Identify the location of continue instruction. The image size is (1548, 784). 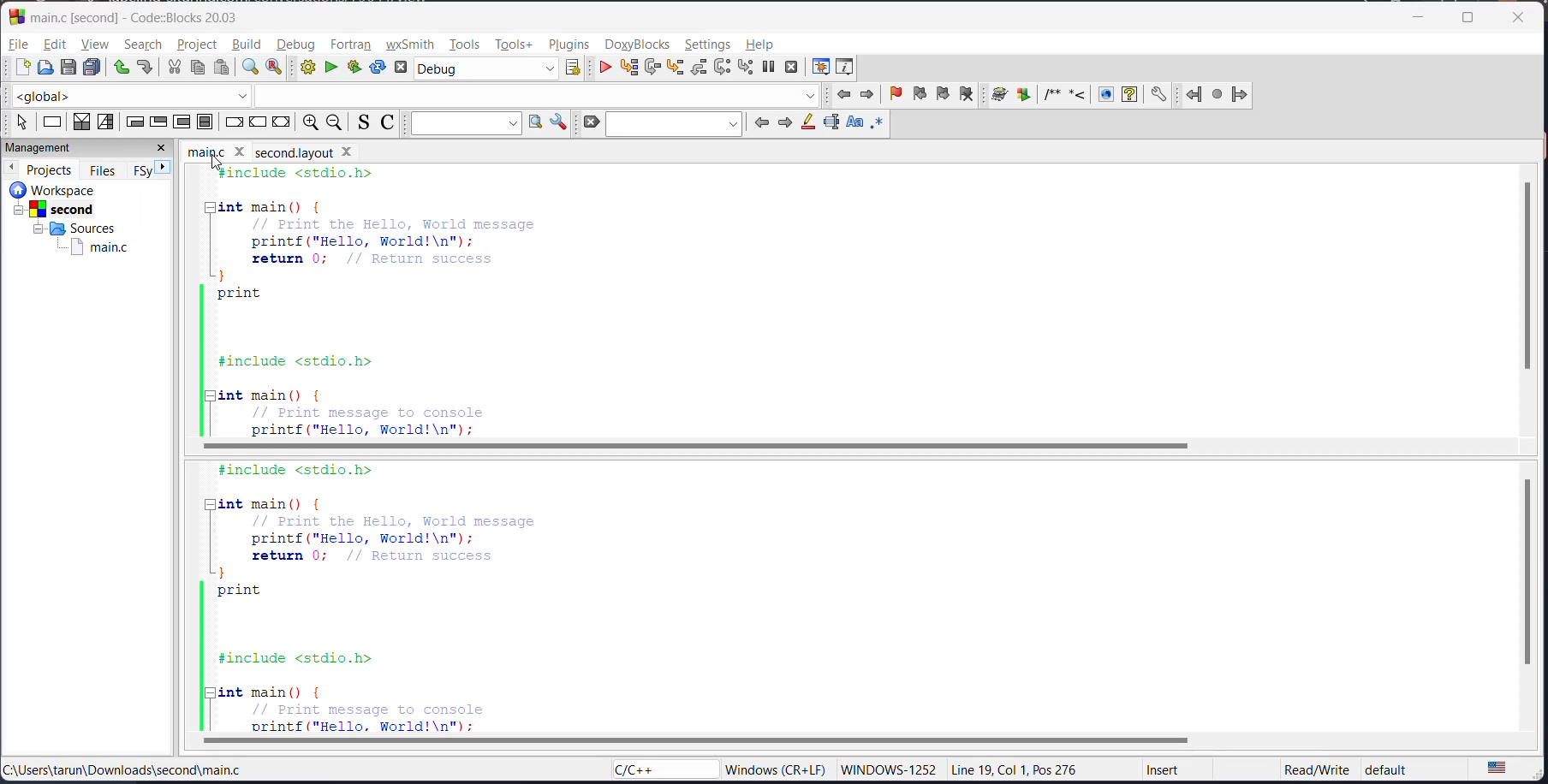
(255, 122).